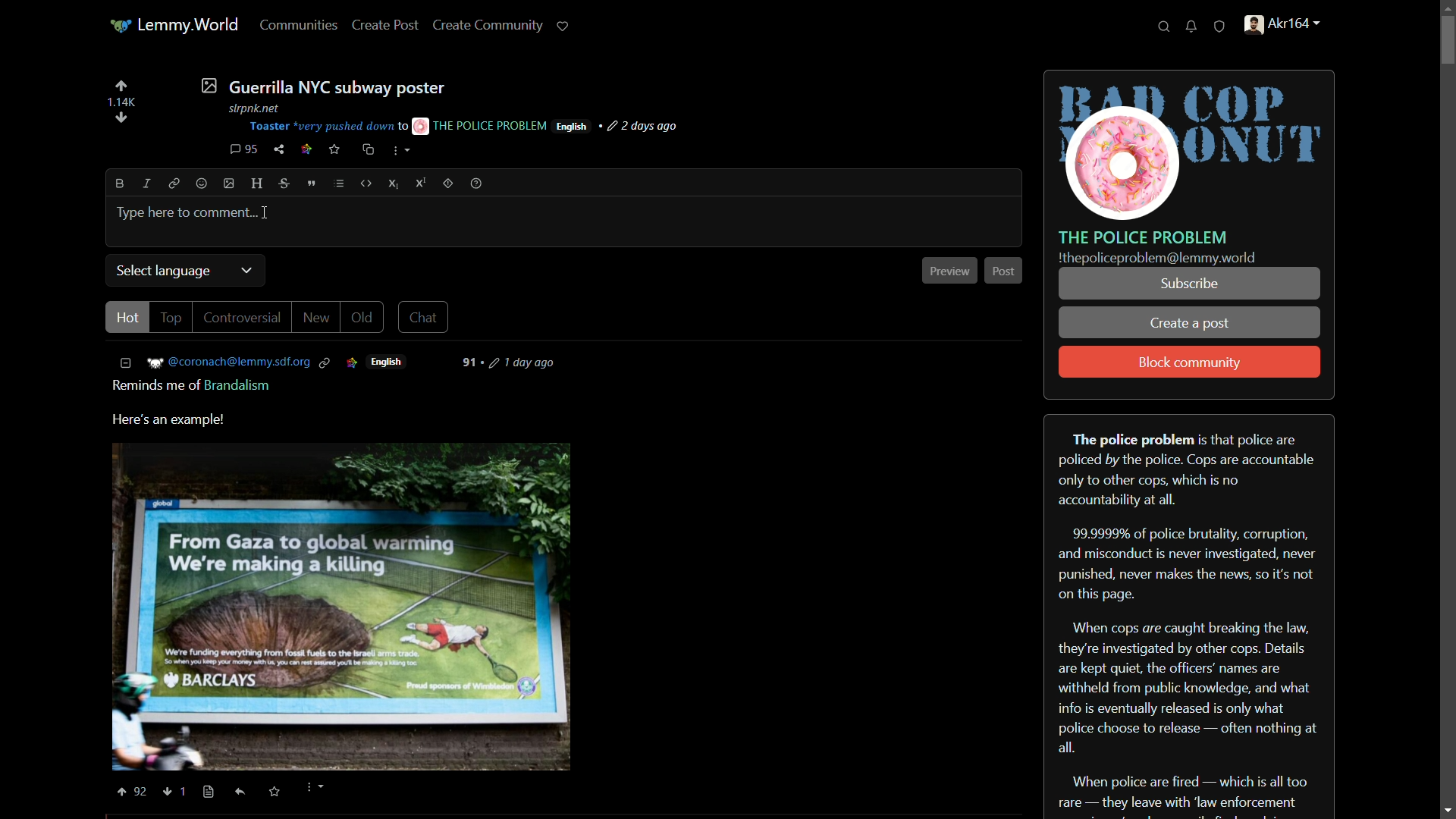 The height and width of the screenshot is (819, 1456). Describe the element at coordinates (209, 792) in the screenshot. I see `view source` at that location.